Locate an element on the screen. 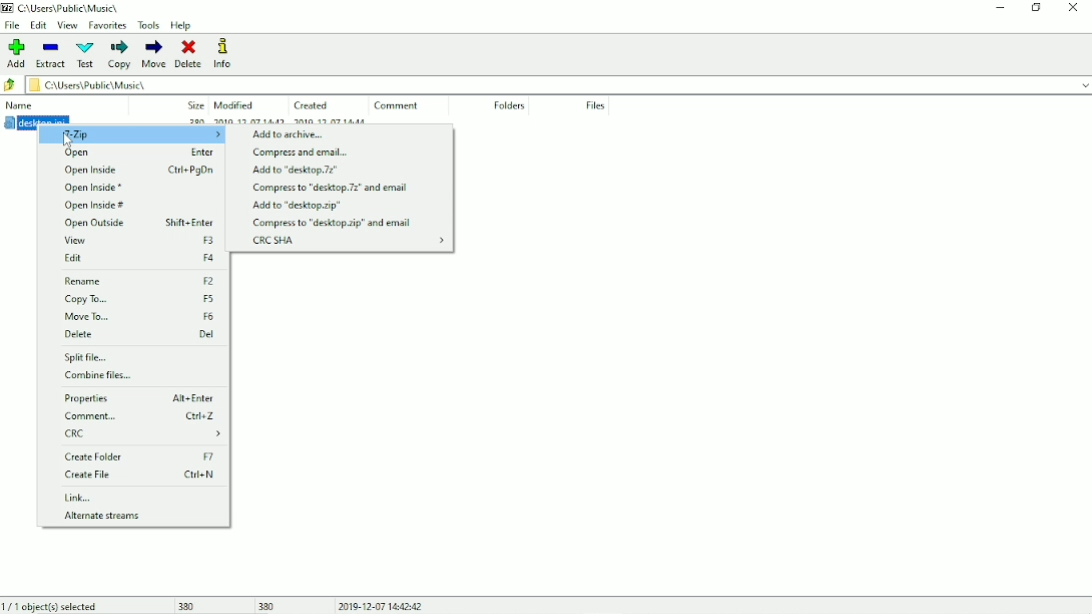  7 zip logo is located at coordinates (9, 8).